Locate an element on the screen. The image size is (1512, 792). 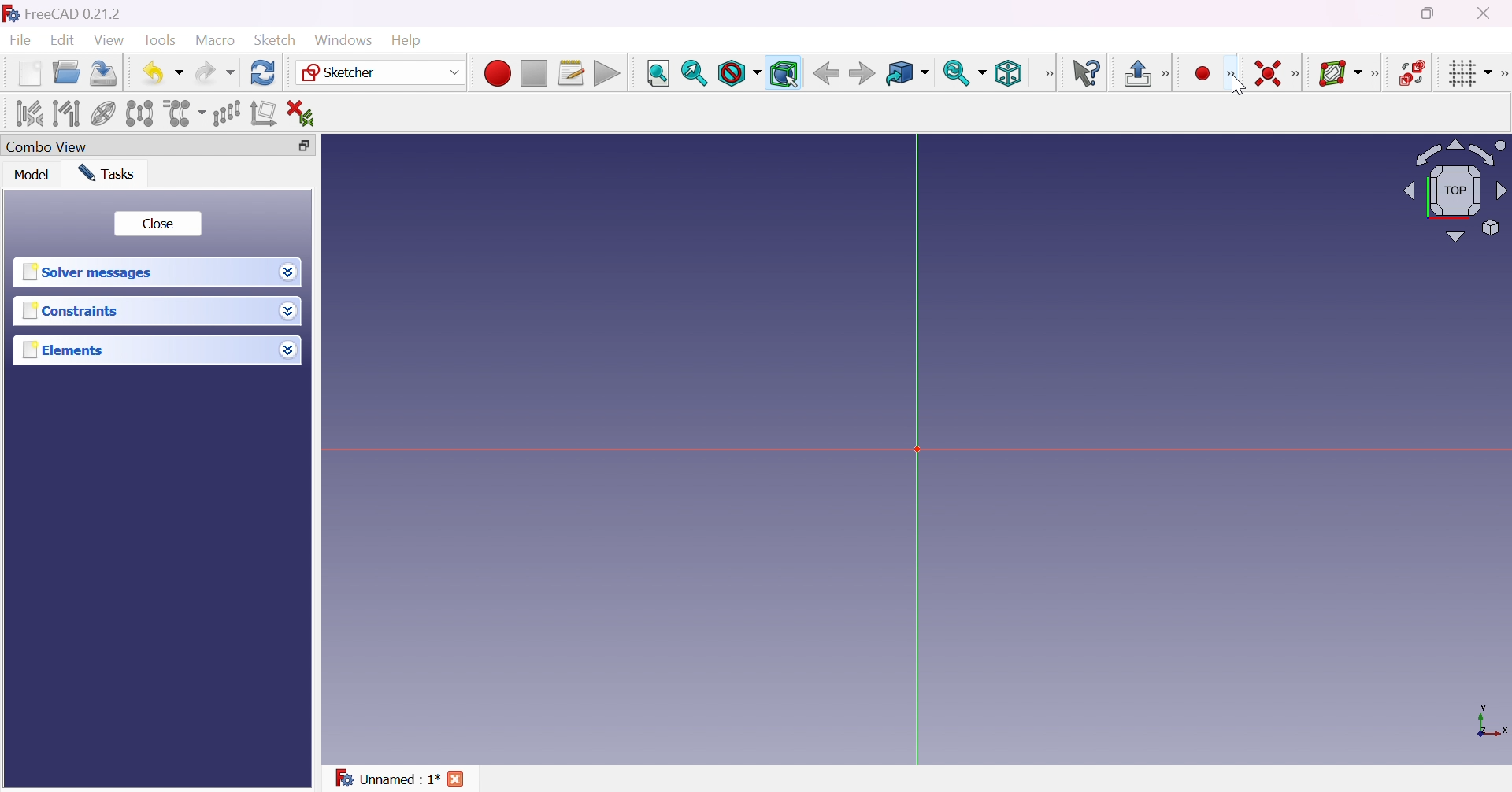
[Sketcher geometries]] is located at coordinates (1230, 74).